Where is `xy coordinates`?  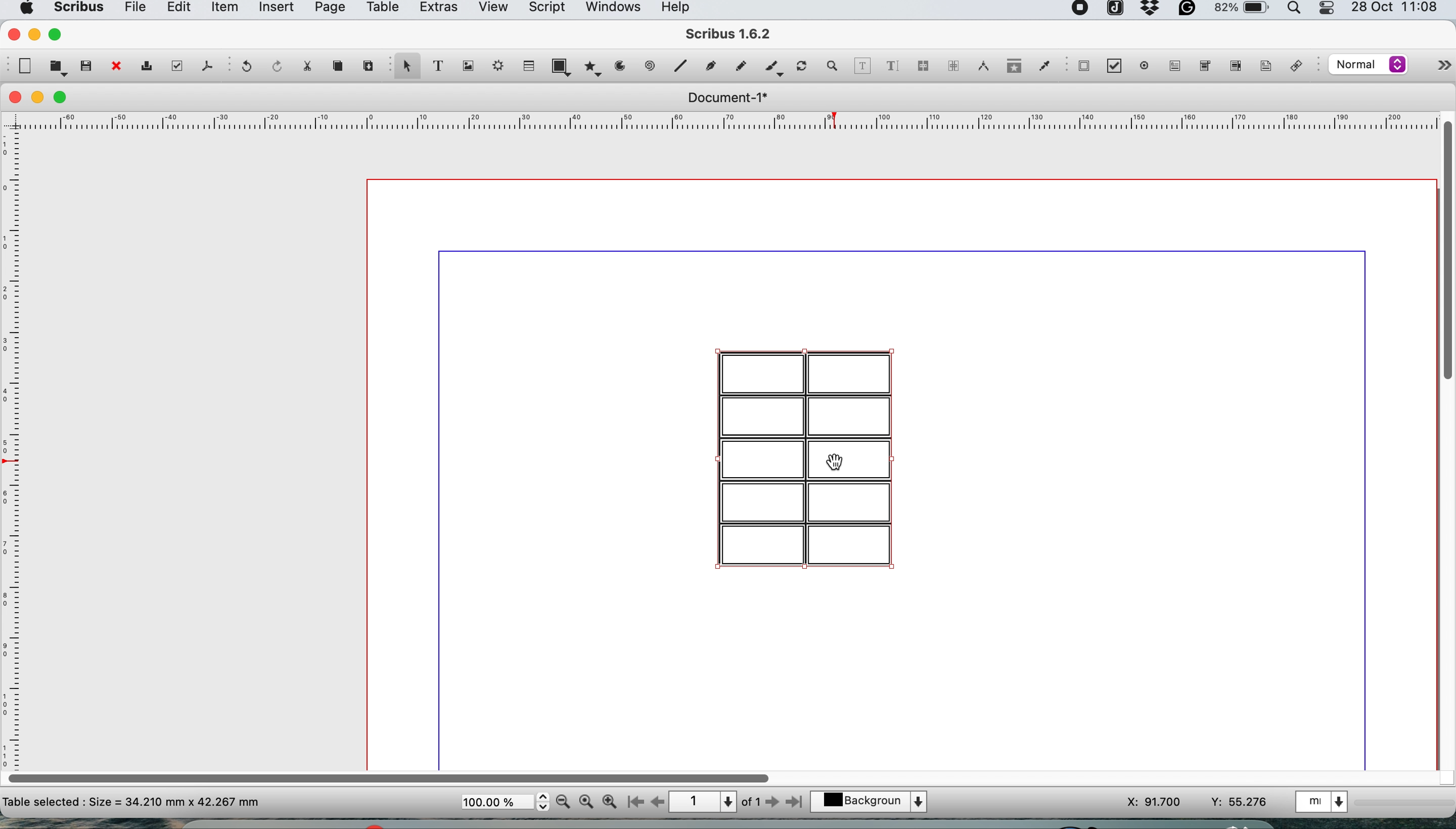 xy coordinates is located at coordinates (1197, 802).